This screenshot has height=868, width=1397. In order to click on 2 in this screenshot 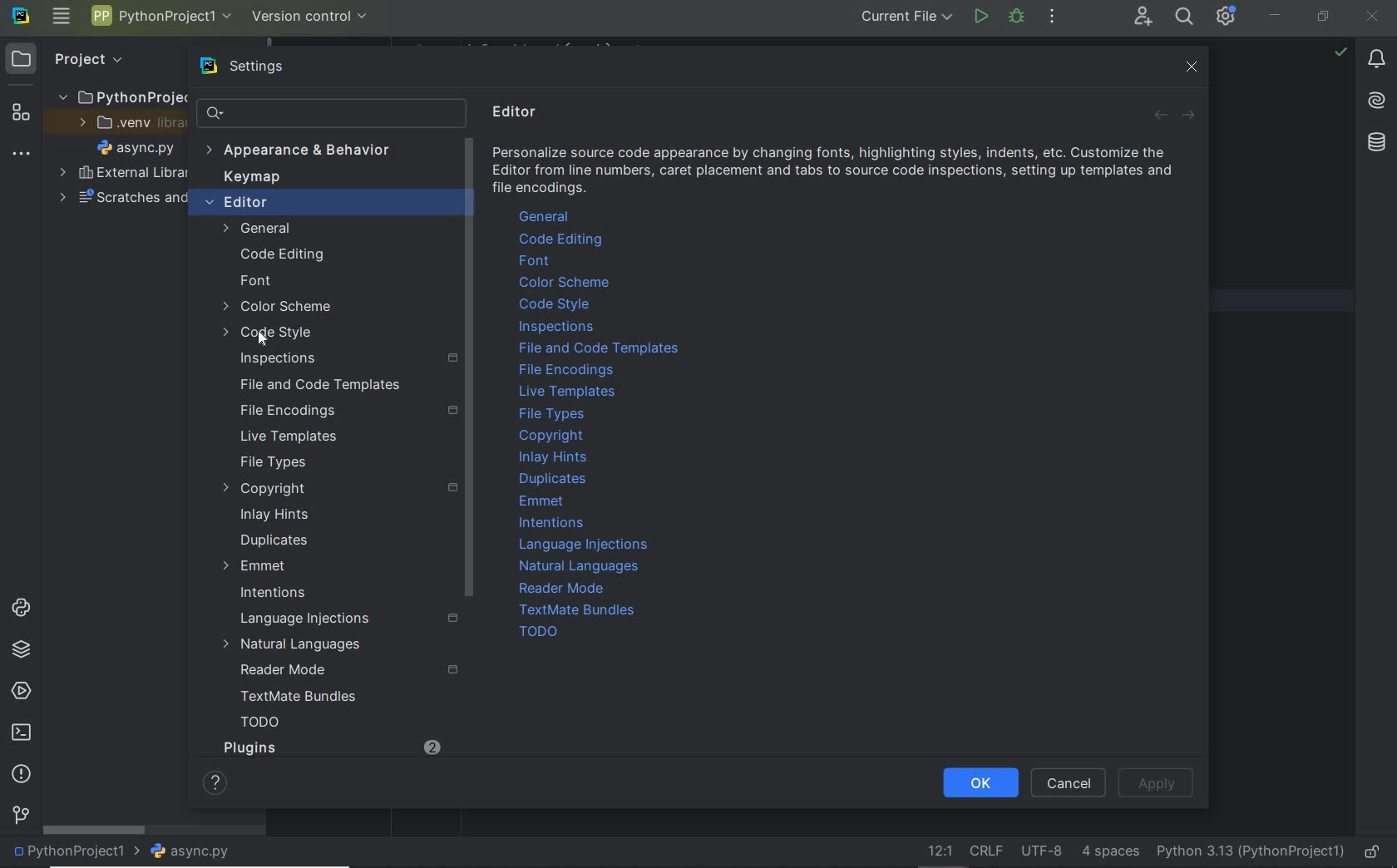, I will do `click(427, 743)`.